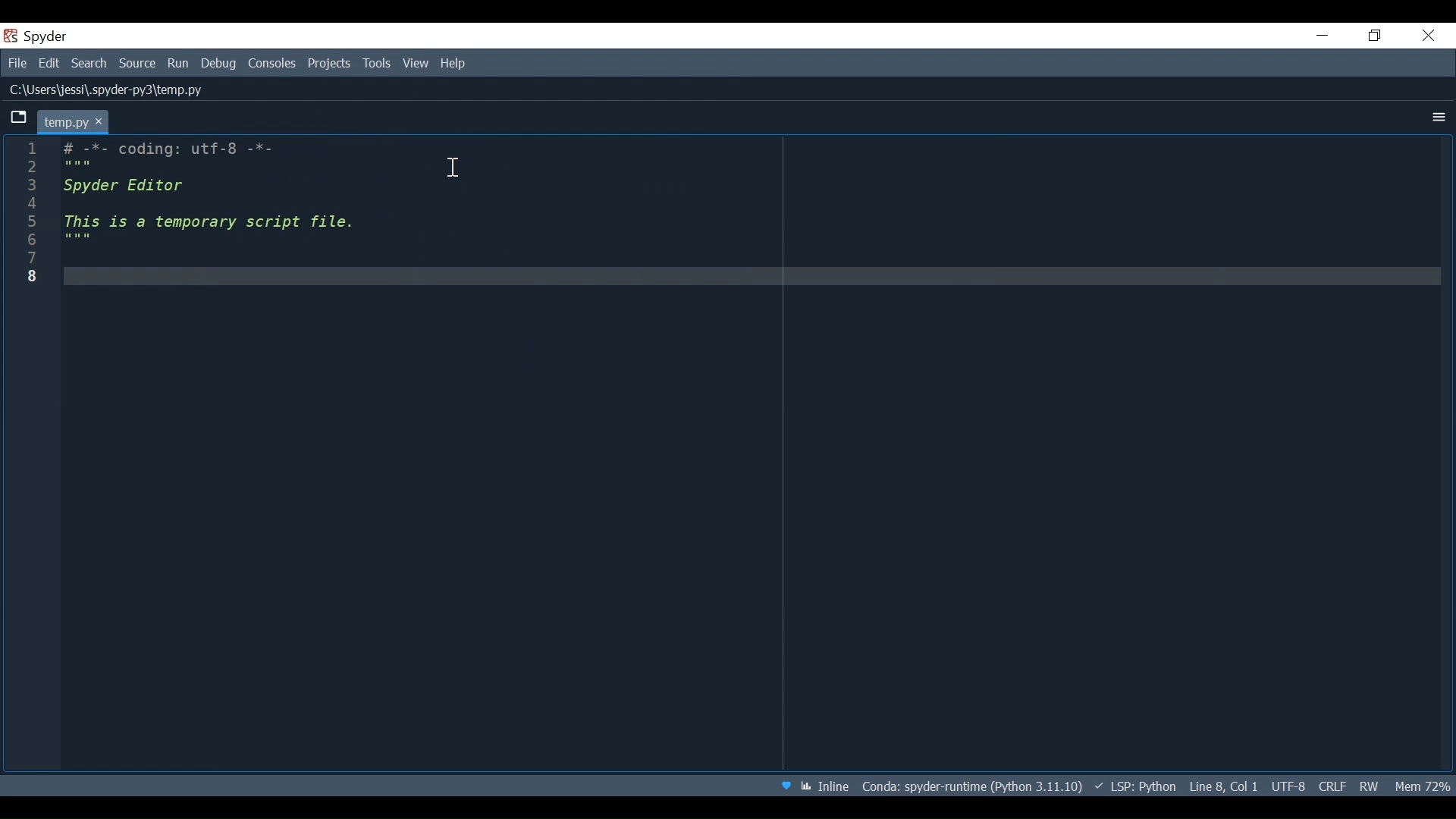 This screenshot has height=819, width=1456. What do you see at coordinates (72, 121) in the screenshot?
I see `temp.py` at bounding box center [72, 121].